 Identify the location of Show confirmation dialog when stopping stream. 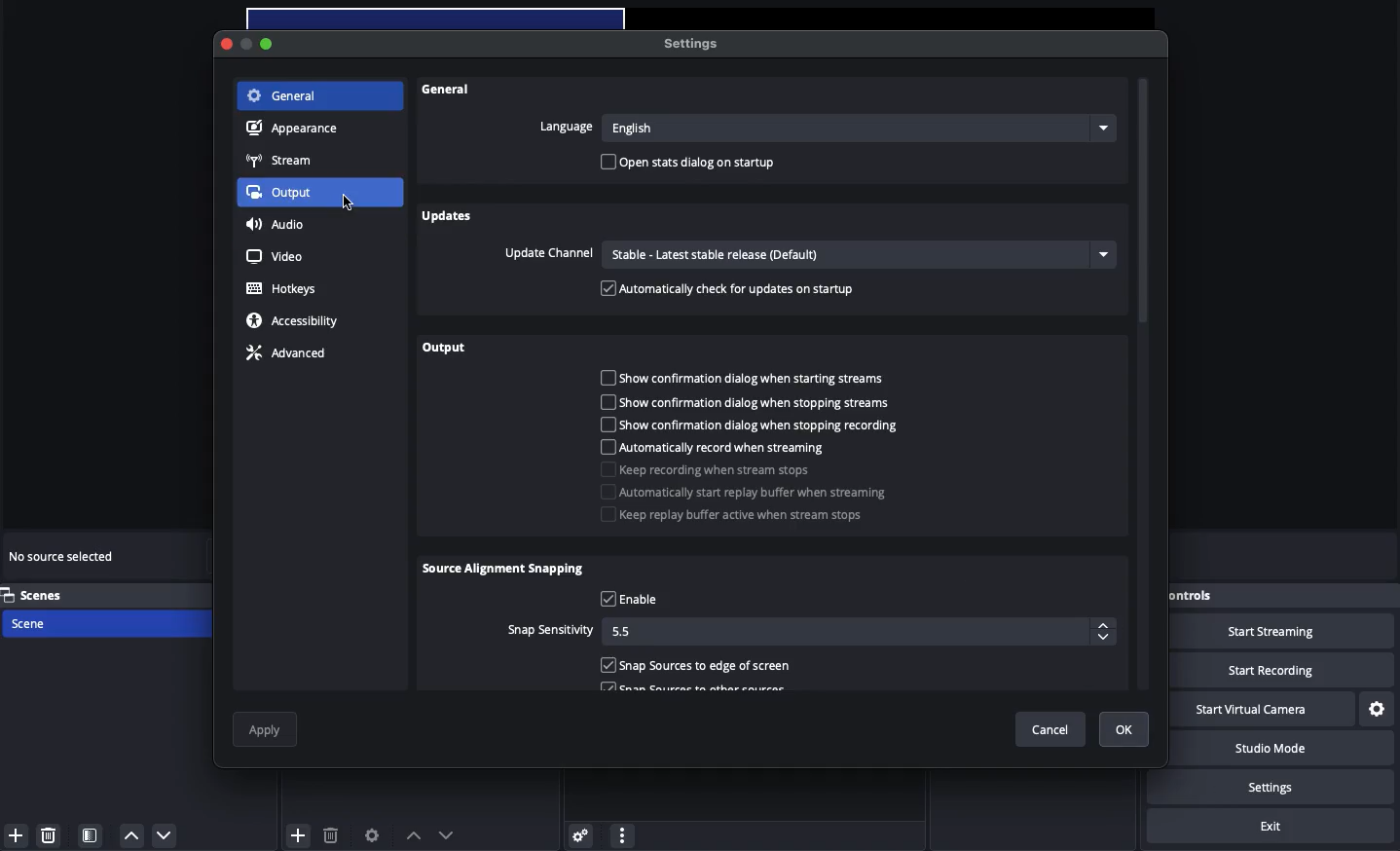
(753, 401).